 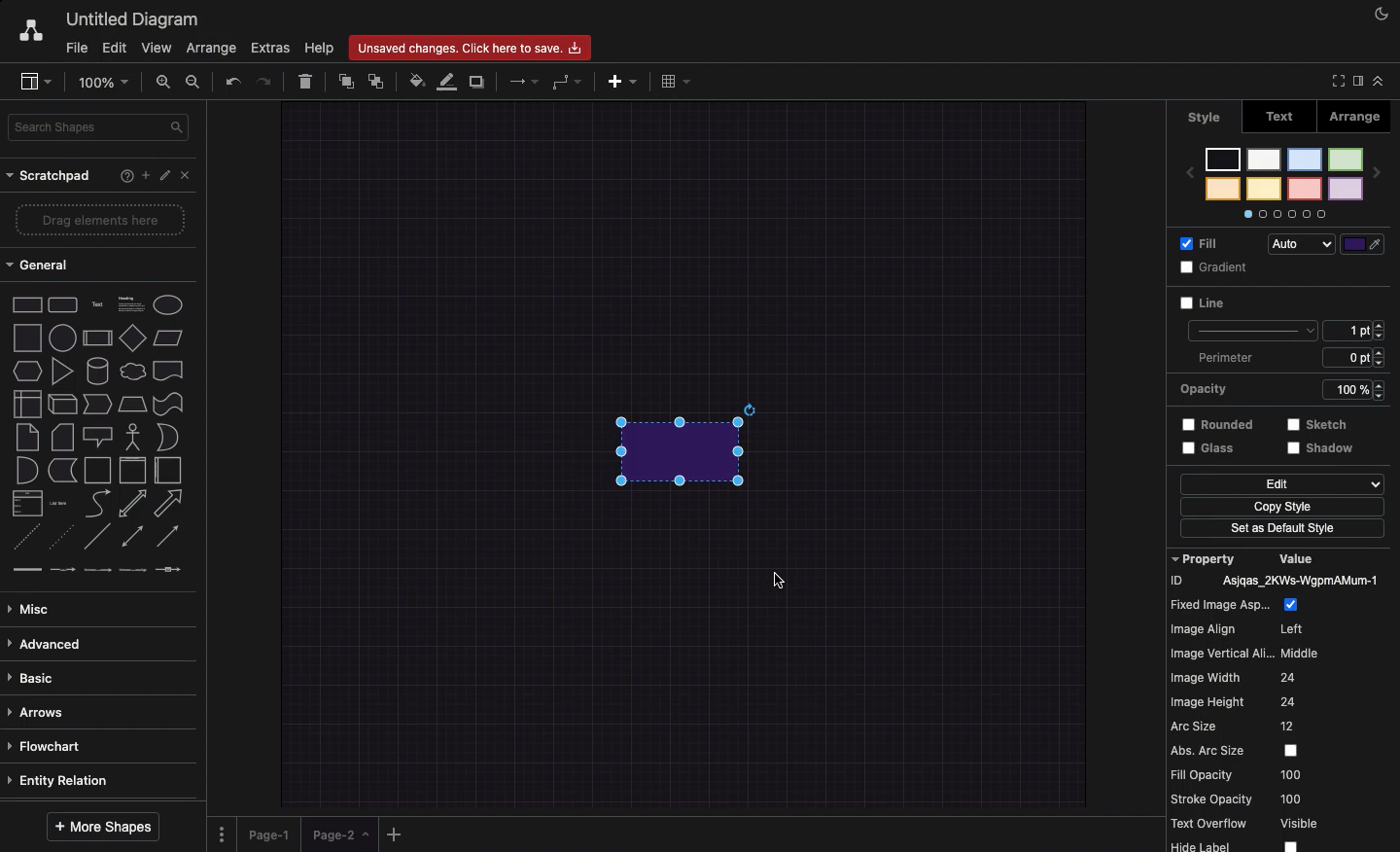 What do you see at coordinates (168, 371) in the screenshot?
I see `document` at bounding box center [168, 371].